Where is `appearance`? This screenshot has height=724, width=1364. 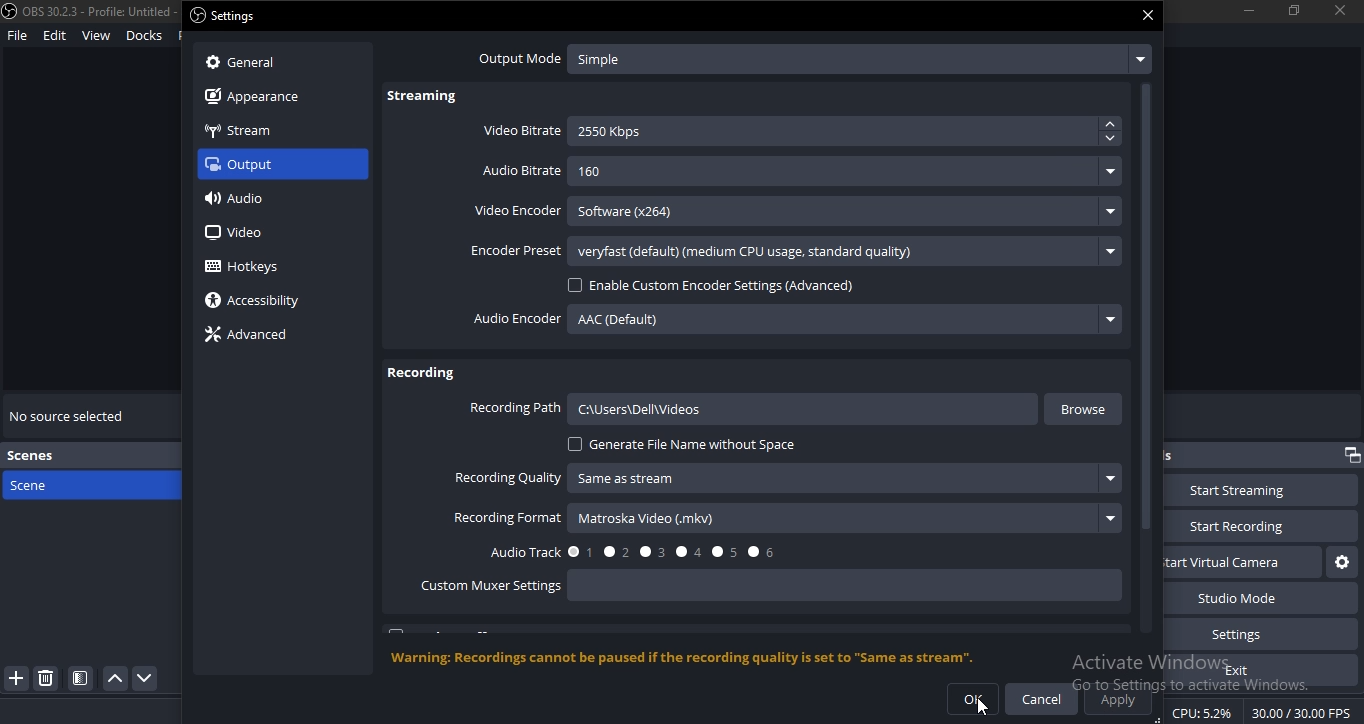
appearance is located at coordinates (269, 98).